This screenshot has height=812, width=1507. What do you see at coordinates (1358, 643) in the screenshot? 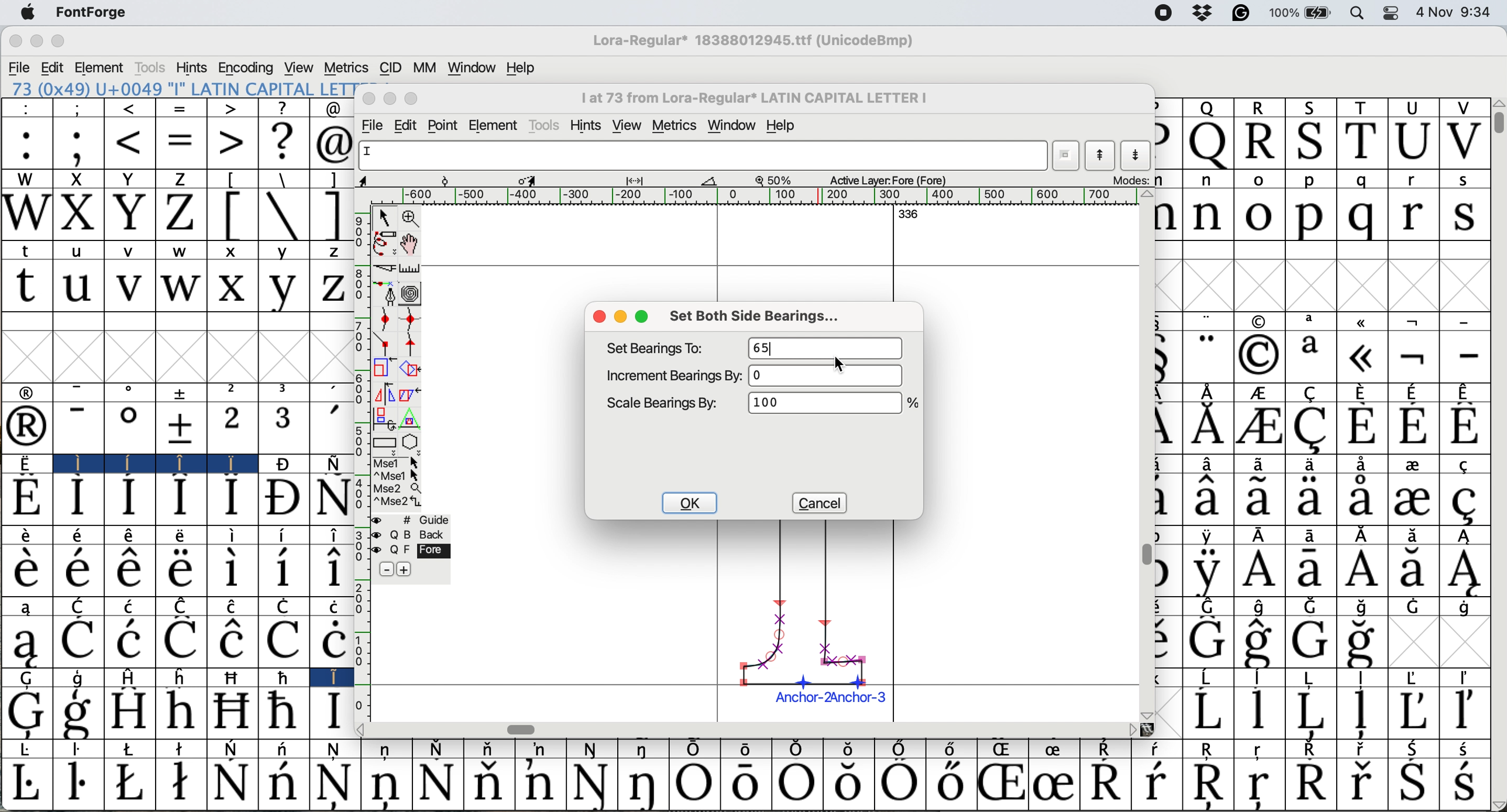
I see `Symbol` at bounding box center [1358, 643].